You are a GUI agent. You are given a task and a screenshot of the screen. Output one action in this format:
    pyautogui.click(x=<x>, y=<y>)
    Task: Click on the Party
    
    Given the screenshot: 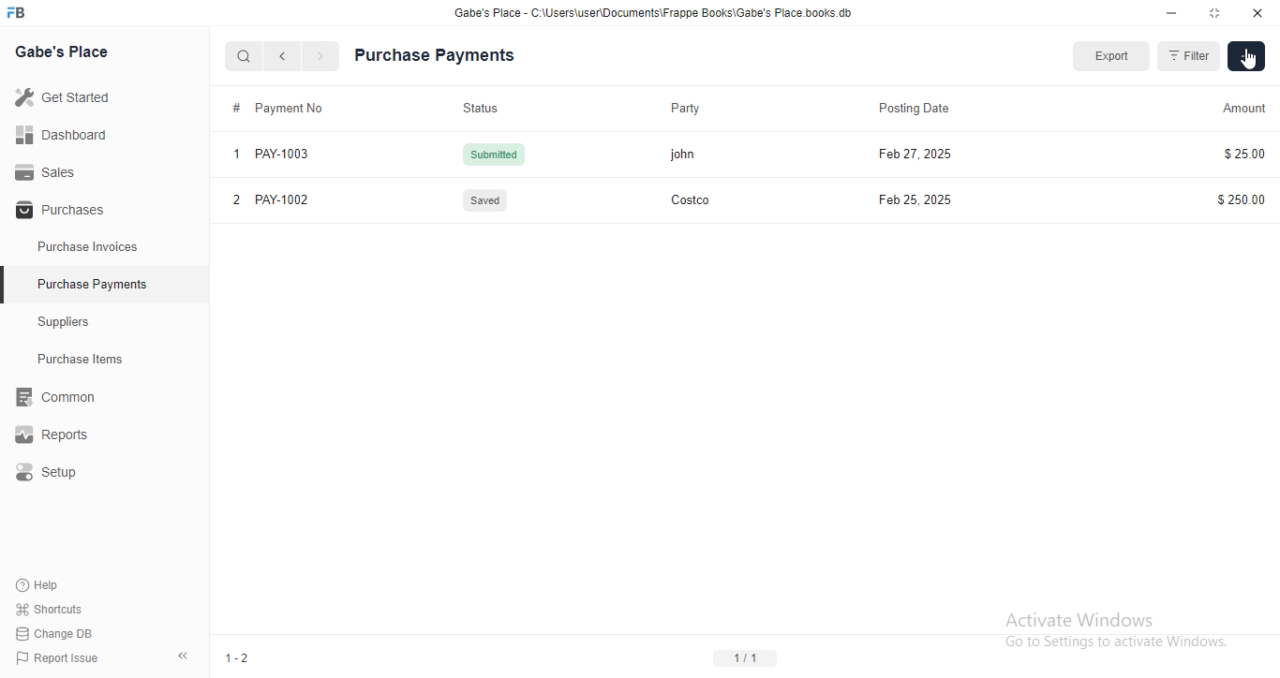 What is the action you would take?
    pyautogui.click(x=685, y=108)
    